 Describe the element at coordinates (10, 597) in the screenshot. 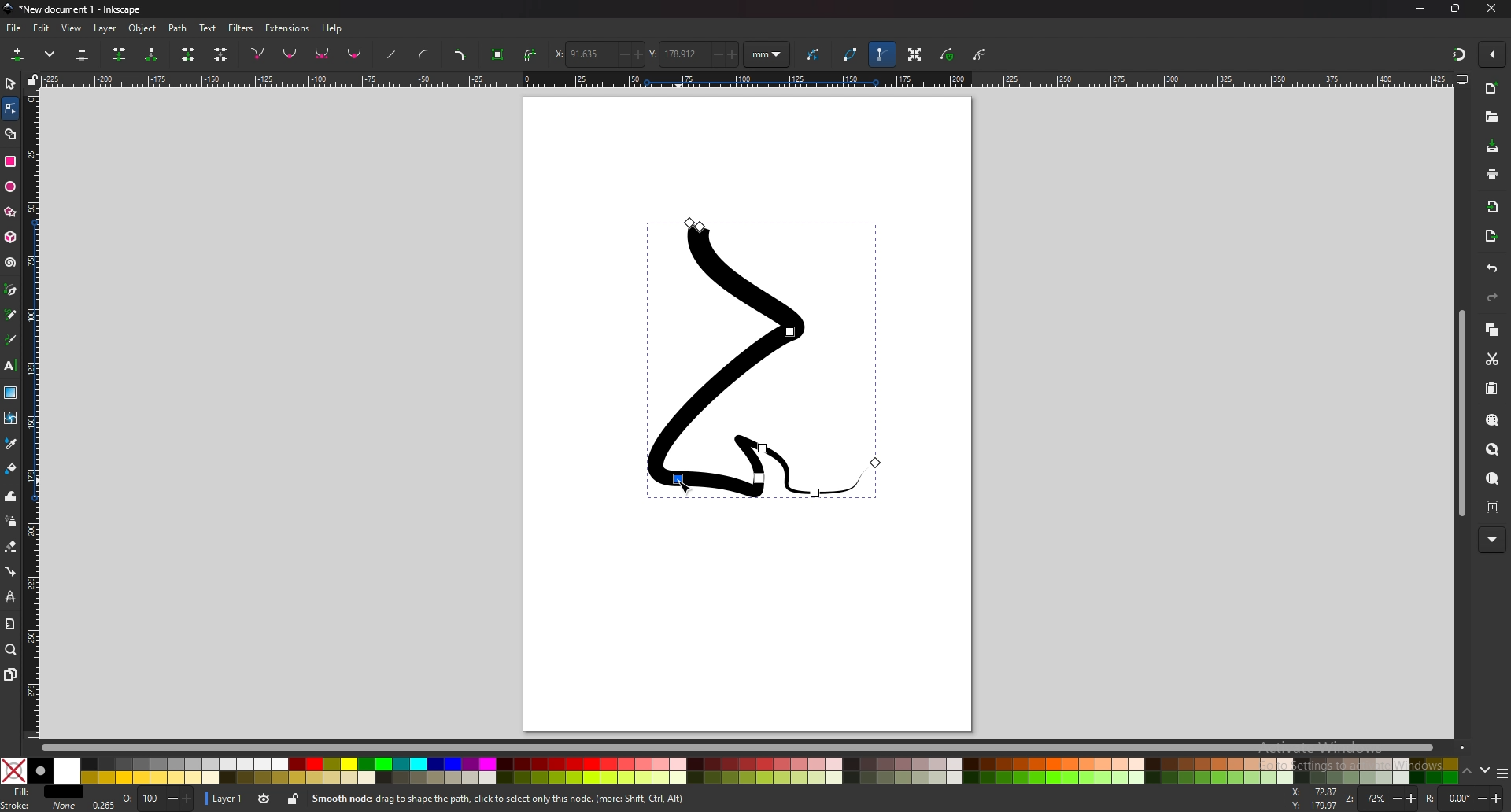

I see `lpe` at that location.